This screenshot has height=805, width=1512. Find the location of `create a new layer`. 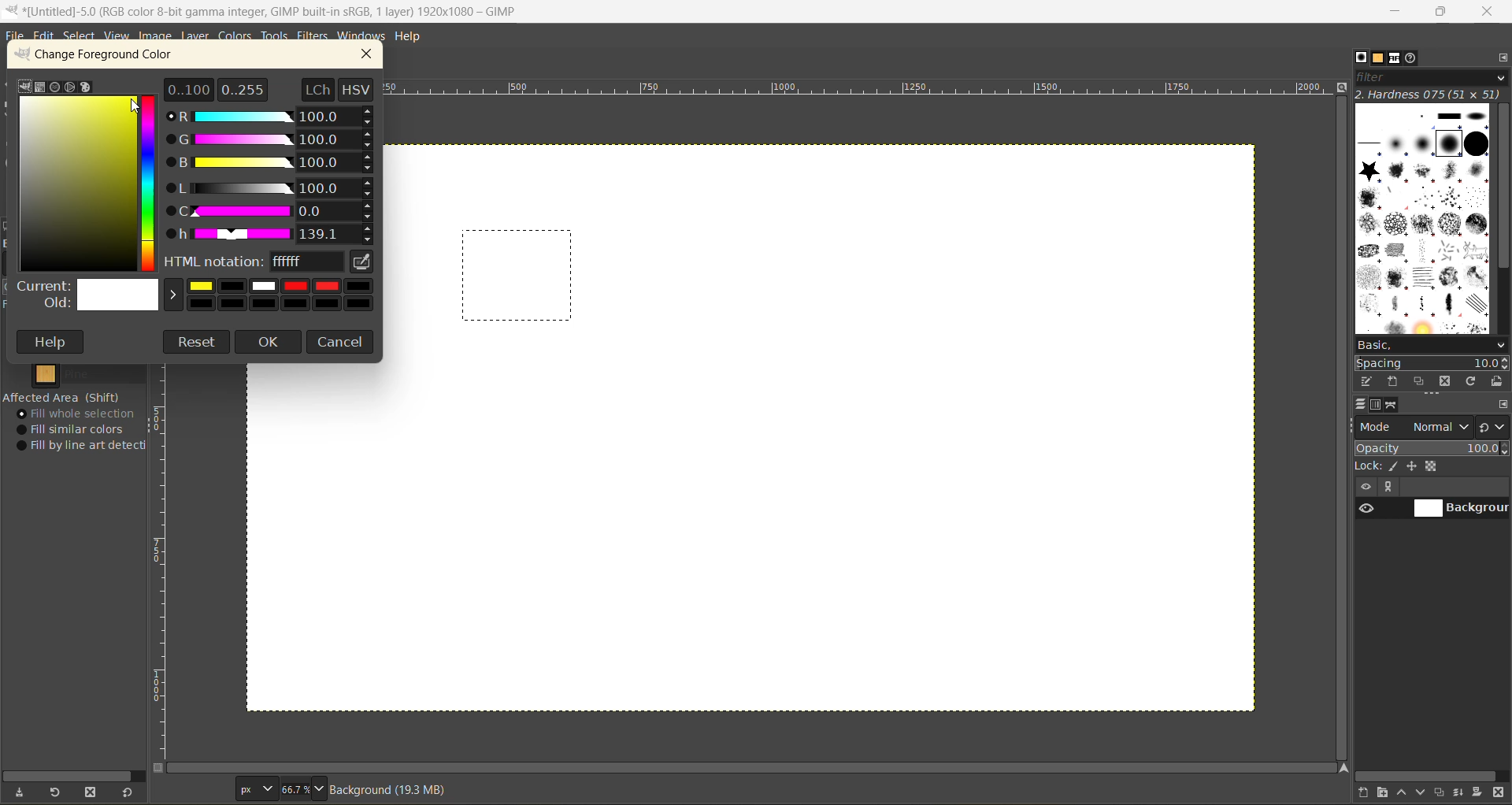

create a new layer is located at coordinates (1365, 793).